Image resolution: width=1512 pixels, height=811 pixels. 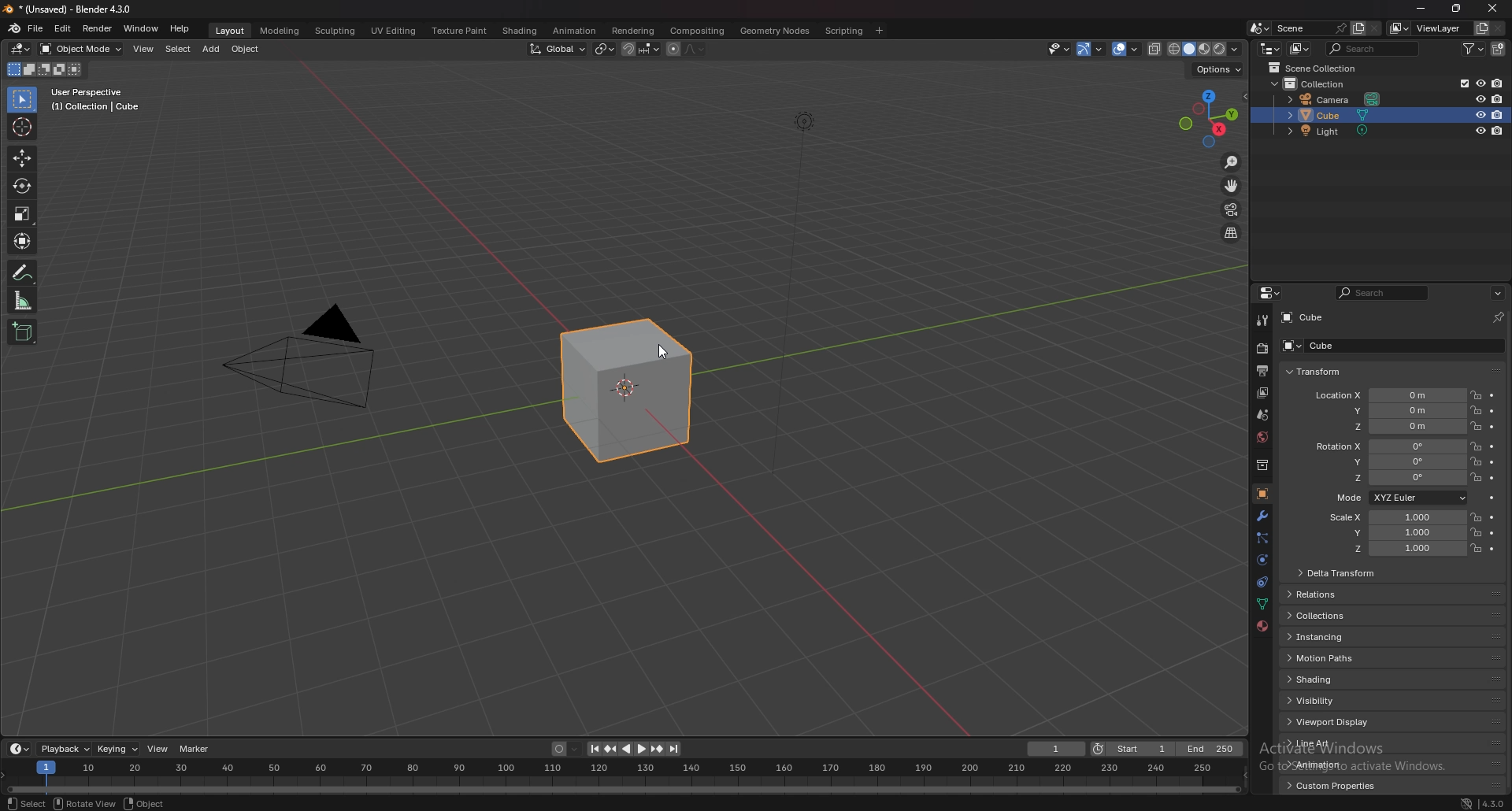 What do you see at coordinates (1478, 131) in the screenshot?
I see `hide in viewport` at bounding box center [1478, 131].